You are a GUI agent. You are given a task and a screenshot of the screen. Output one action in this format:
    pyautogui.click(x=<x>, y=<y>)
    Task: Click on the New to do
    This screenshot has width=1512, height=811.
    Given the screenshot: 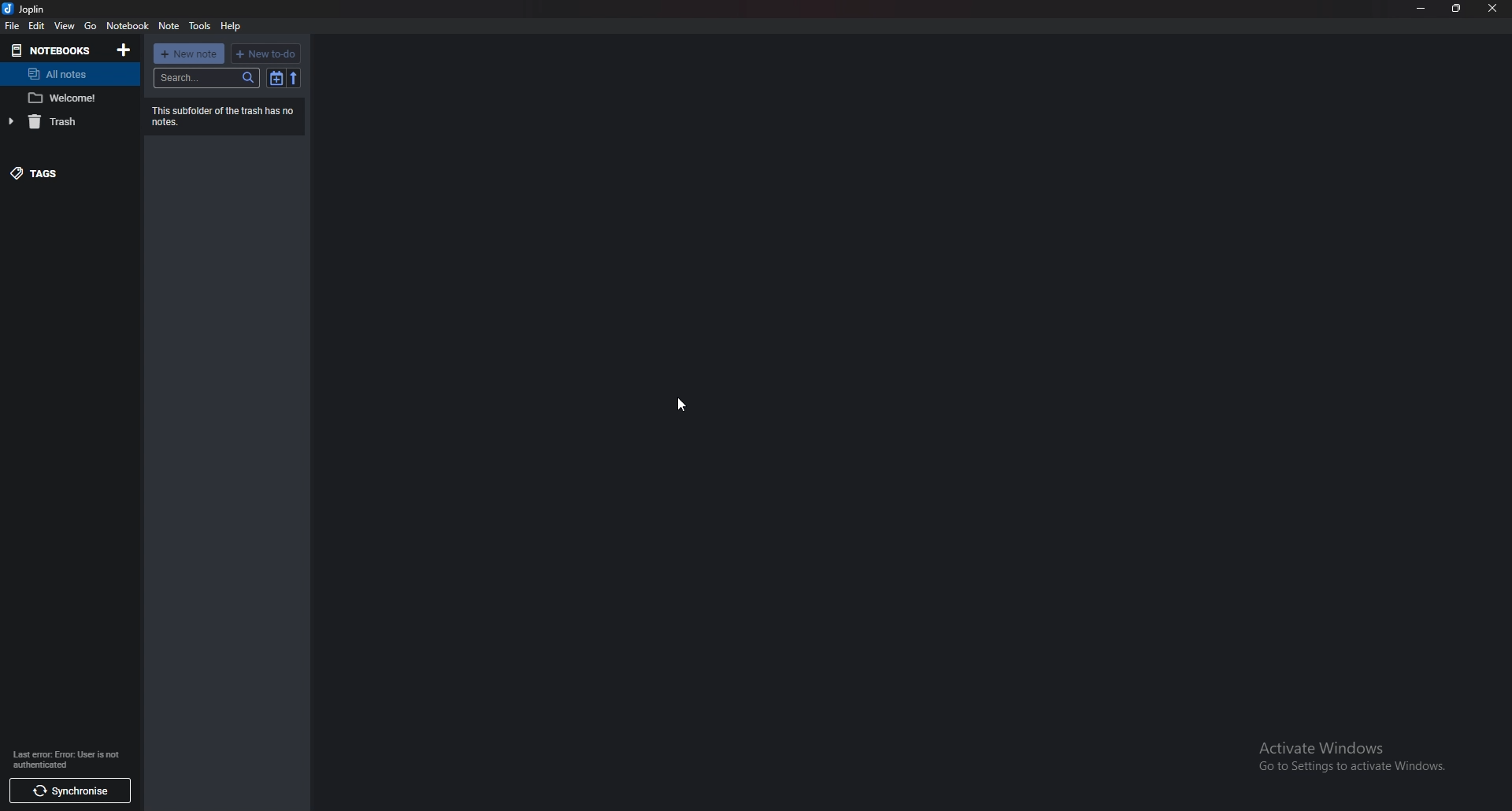 What is the action you would take?
    pyautogui.click(x=265, y=54)
    